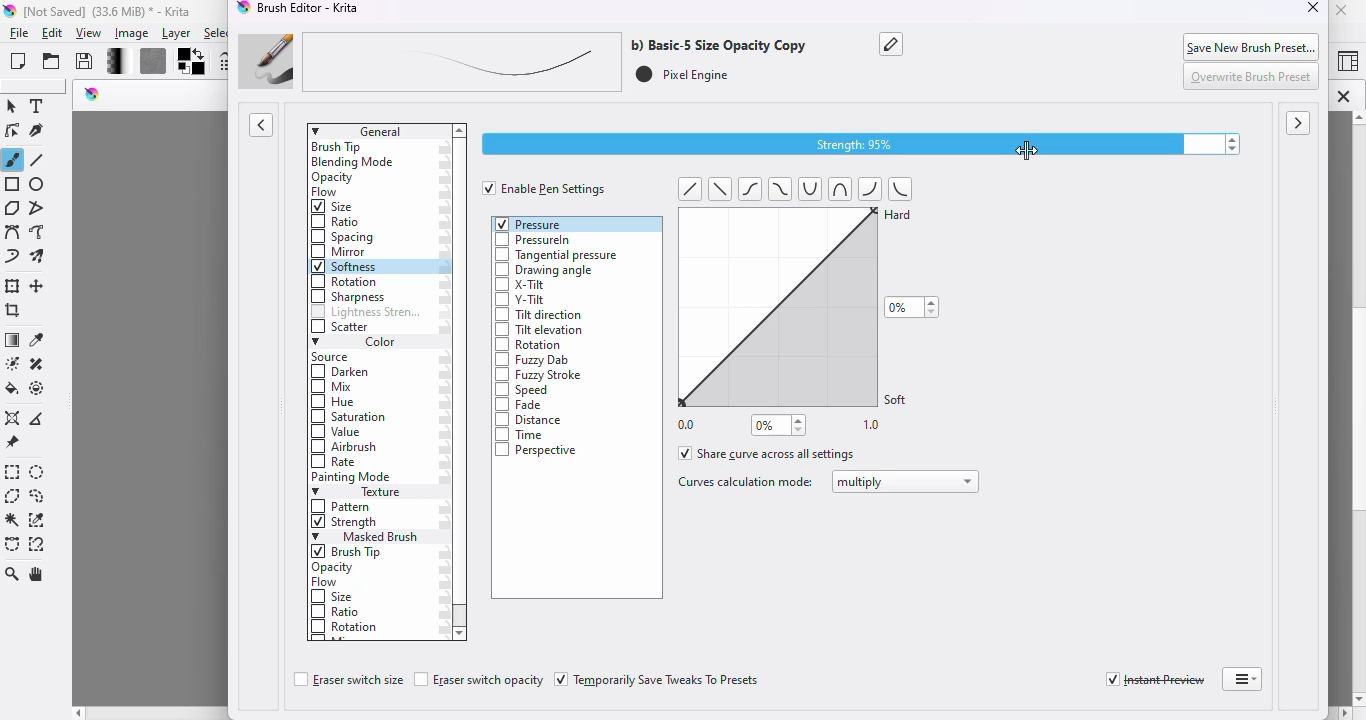 The image size is (1366, 720). What do you see at coordinates (365, 537) in the screenshot?
I see `masked brush` at bounding box center [365, 537].